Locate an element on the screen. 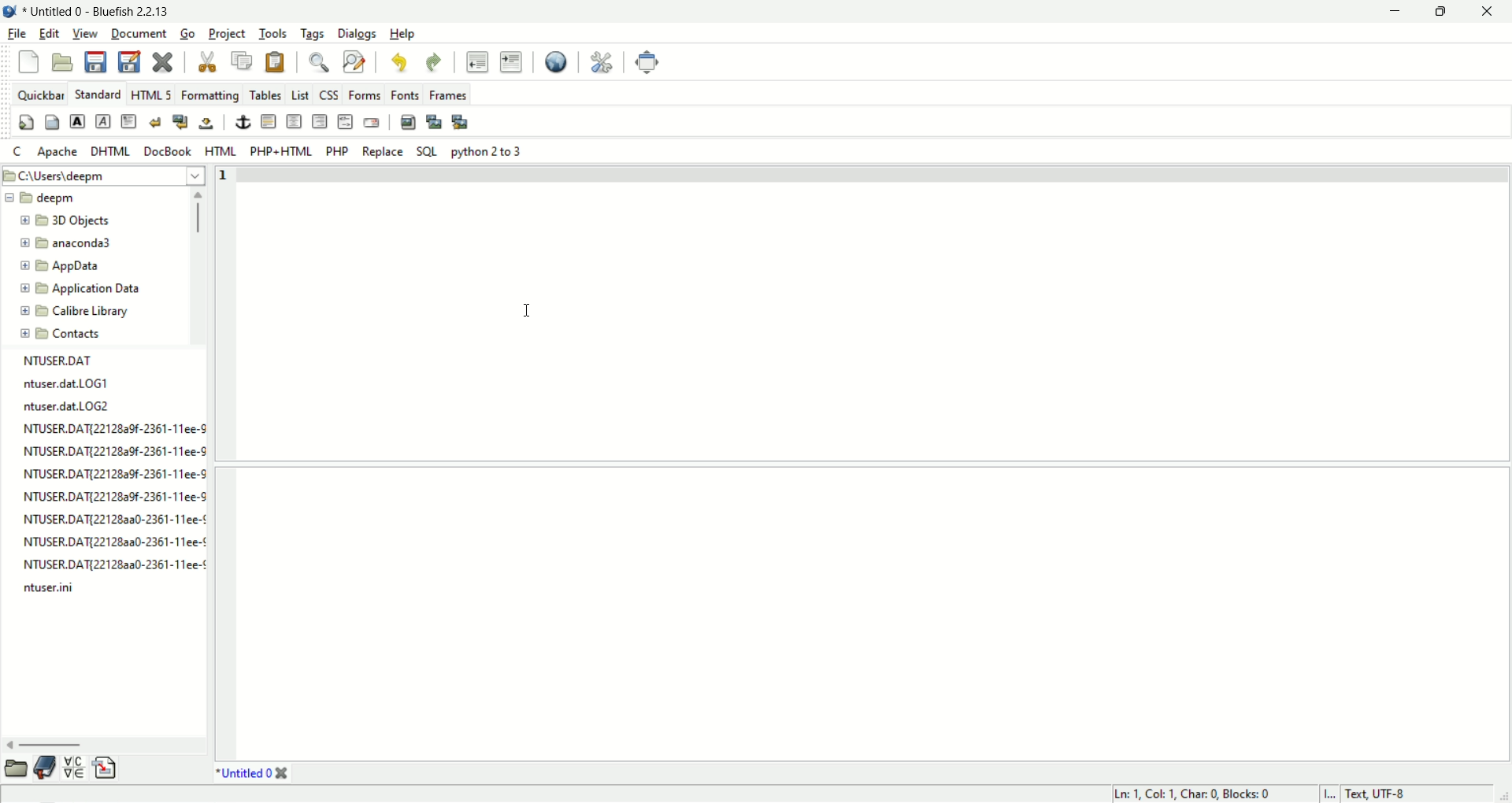 Image resolution: width=1512 pixels, height=803 pixels. file list is located at coordinates (108, 476).